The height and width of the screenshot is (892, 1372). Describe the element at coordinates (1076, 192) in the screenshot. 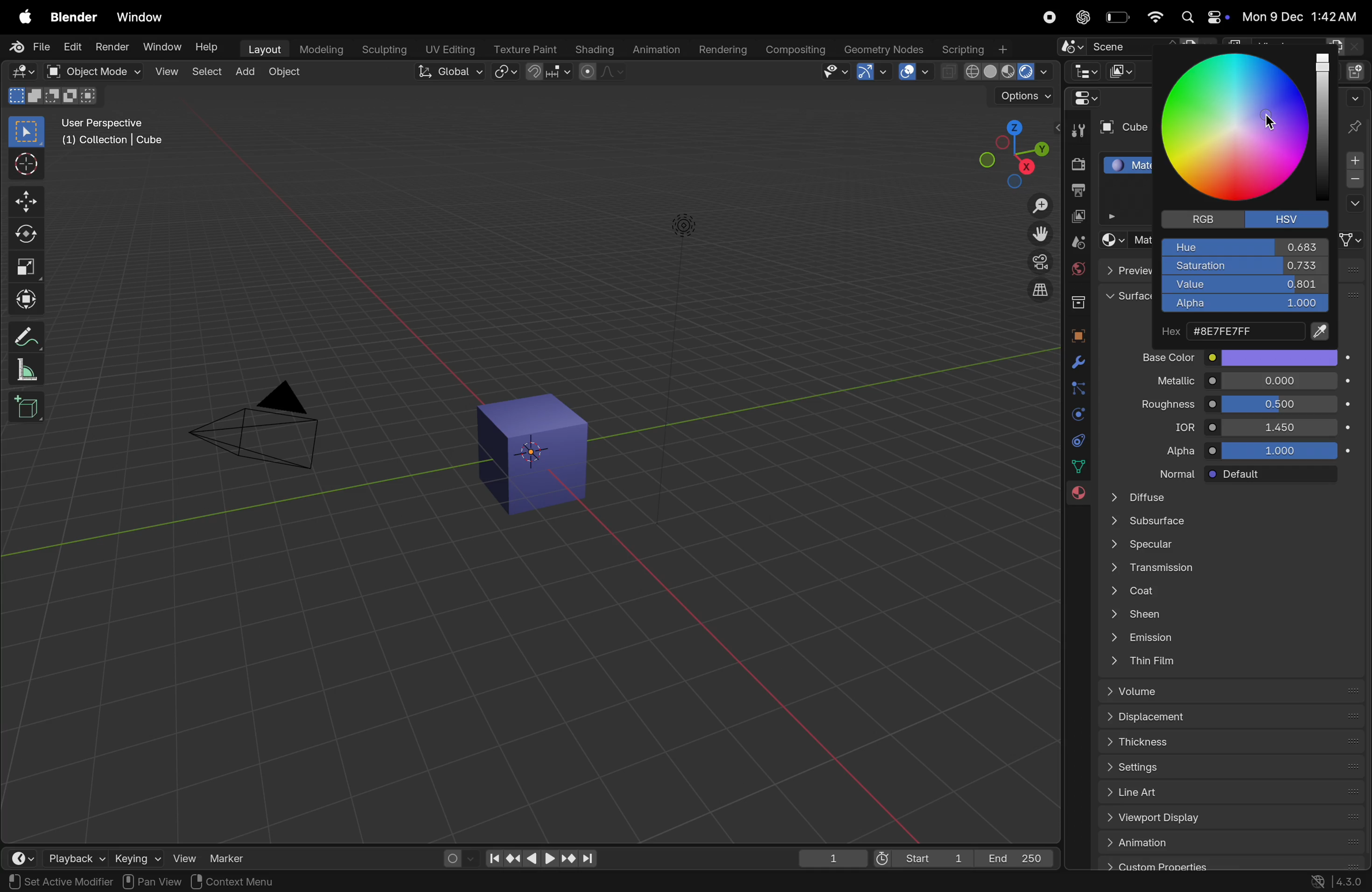

I see `output` at that location.